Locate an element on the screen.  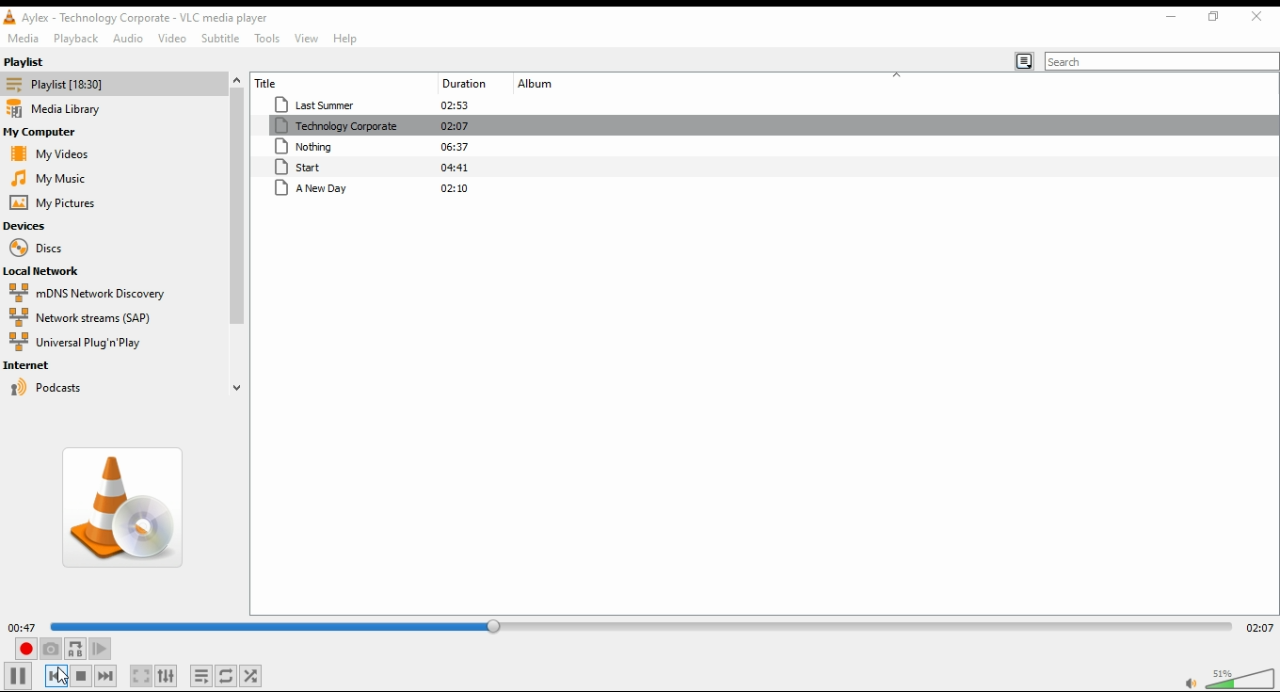
media library is located at coordinates (62, 109).